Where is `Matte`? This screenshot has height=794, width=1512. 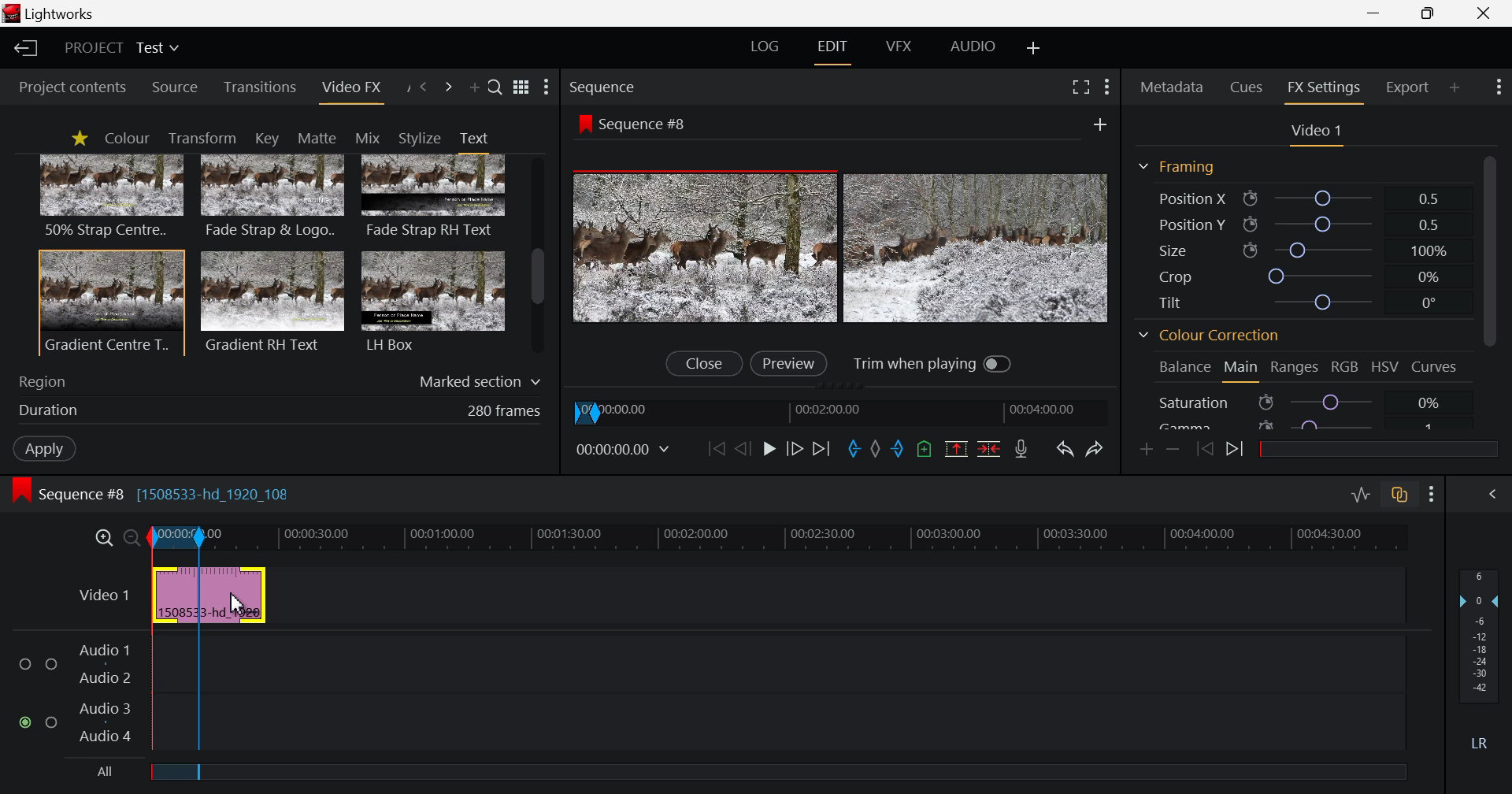 Matte is located at coordinates (316, 137).